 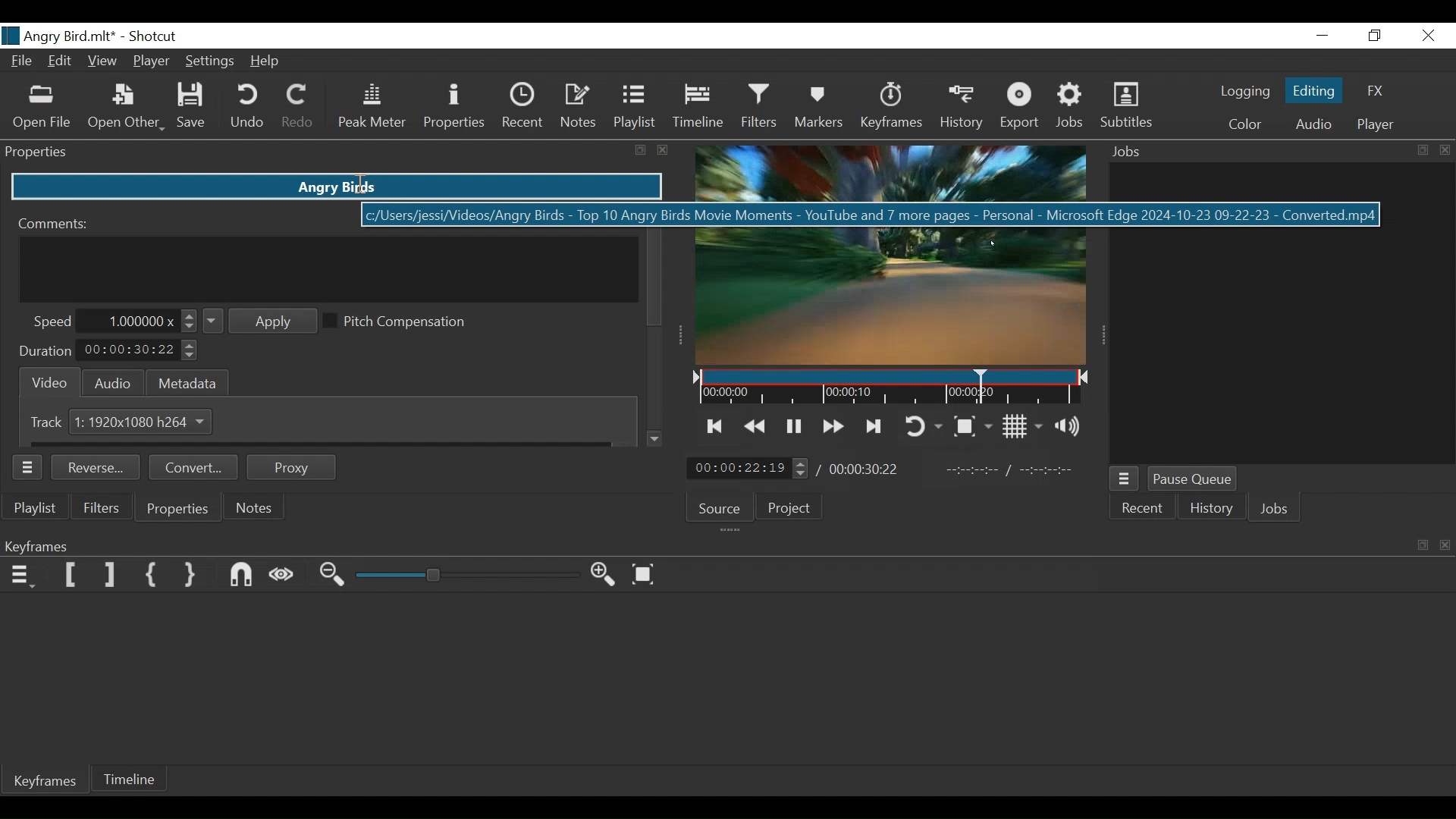 What do you see at coordinates (1009, 470) in the screenshot?
I see `In point` at bounding box center [1009, 470].